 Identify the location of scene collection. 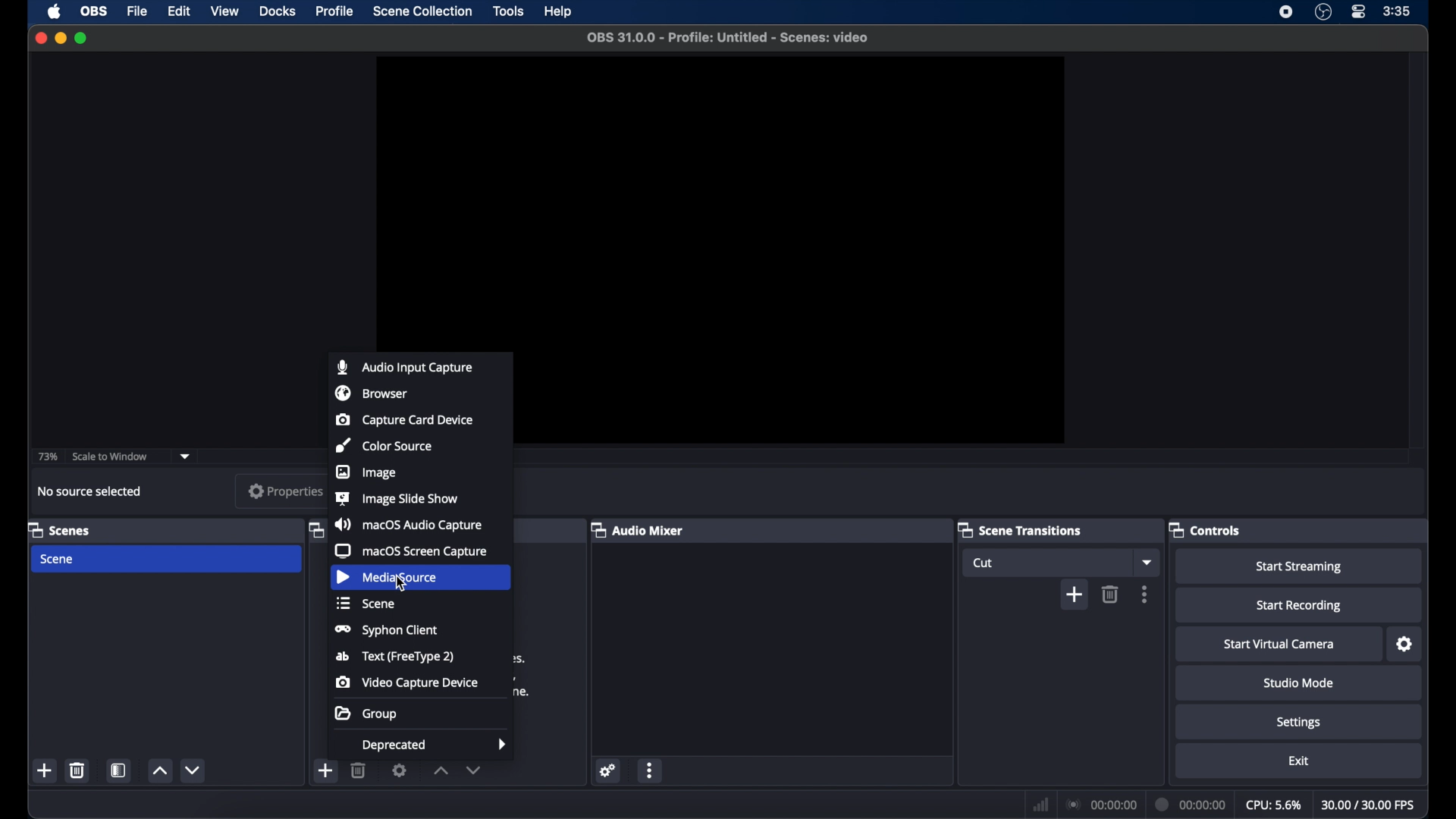
(425, 11).